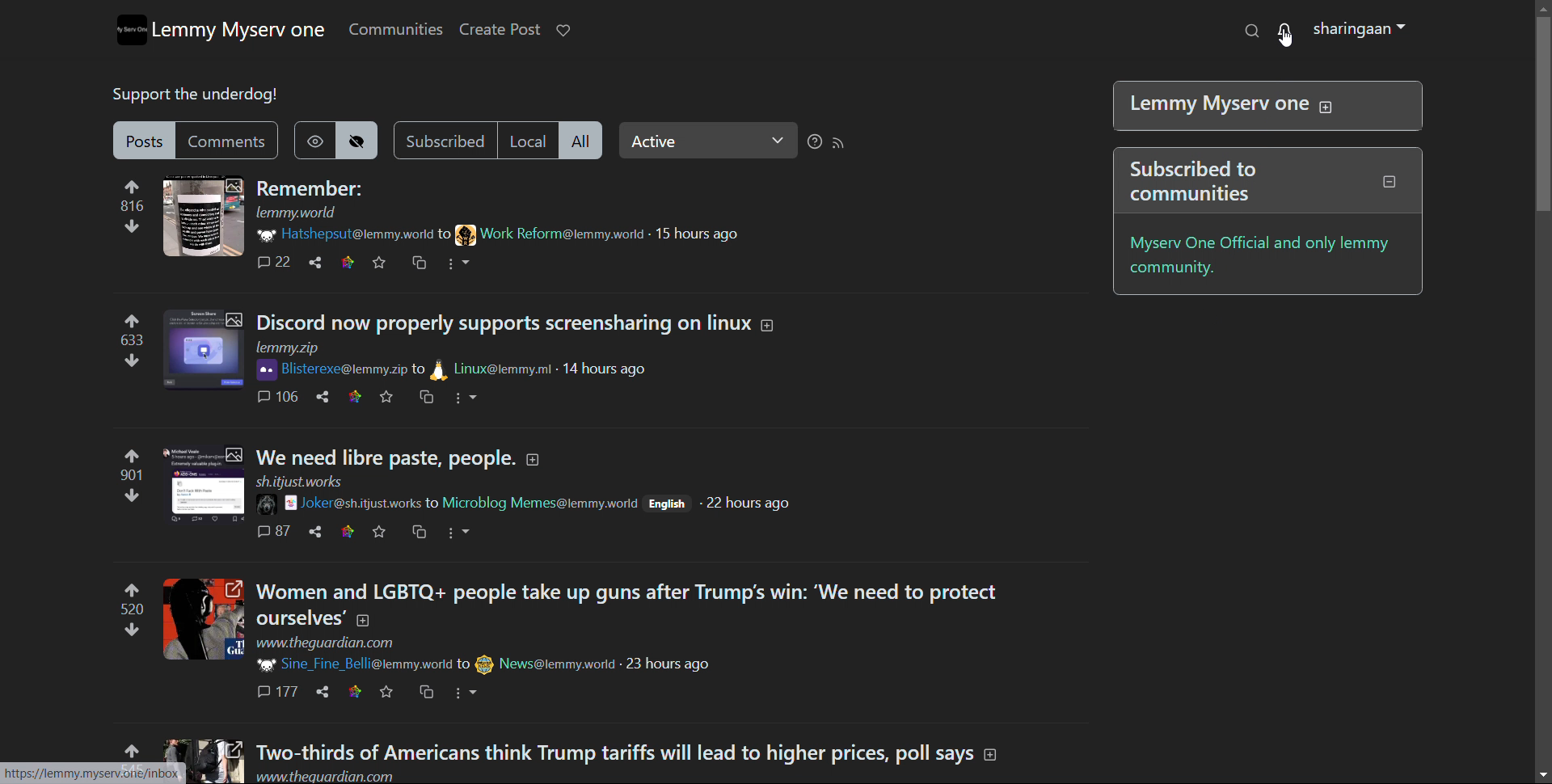 Image resolution: width=1552 pixels, height=784 pixels. I want to click on Post on "Subscribed to communities", so click(1263, 181).